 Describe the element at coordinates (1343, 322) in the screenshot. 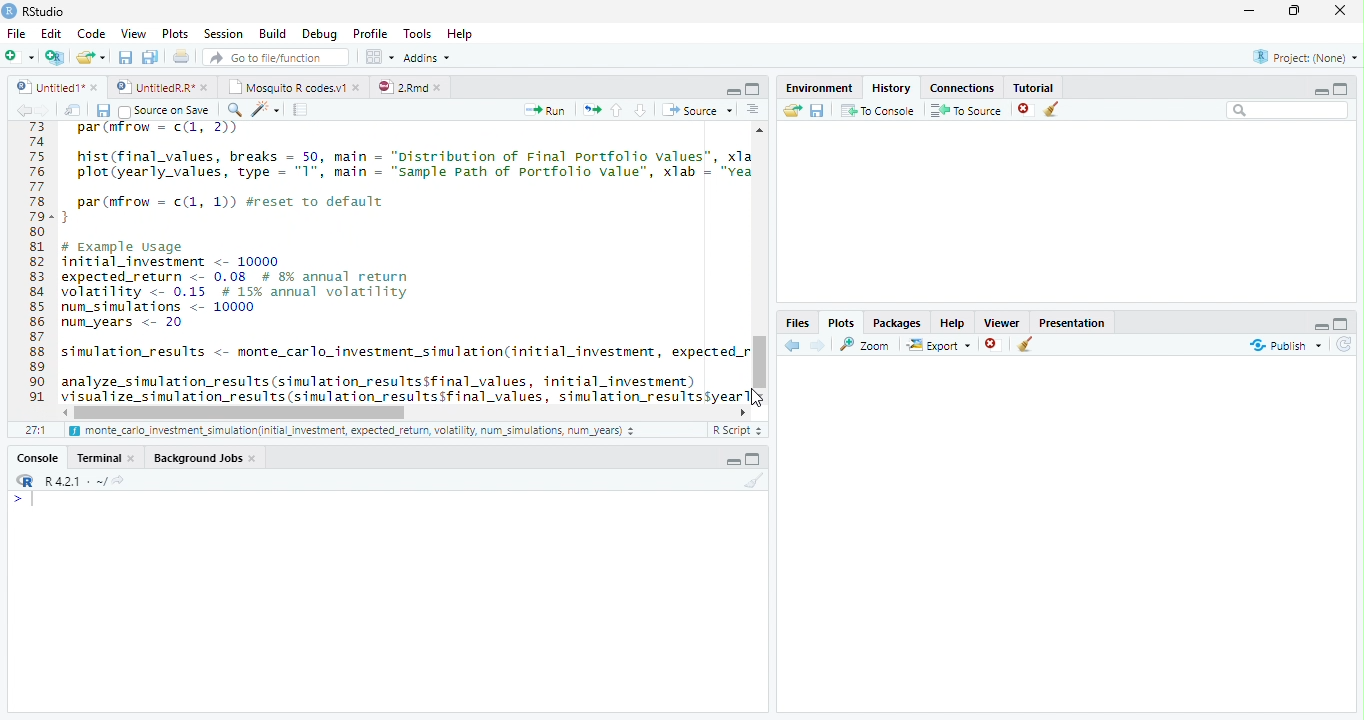

I see `Full Height` at that location.